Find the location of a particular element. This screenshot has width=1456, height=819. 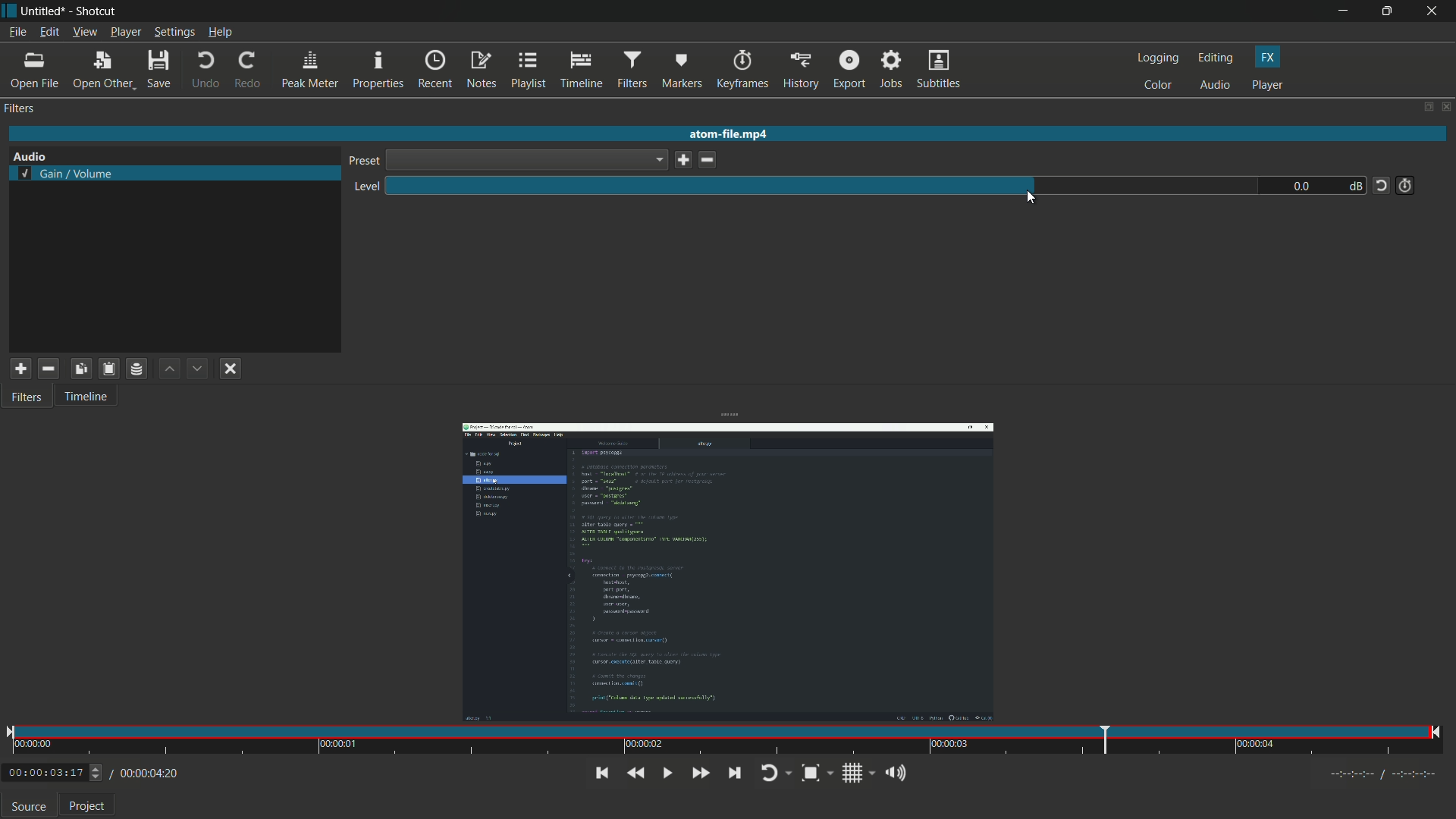

open other is located at coordinates (102, 71).